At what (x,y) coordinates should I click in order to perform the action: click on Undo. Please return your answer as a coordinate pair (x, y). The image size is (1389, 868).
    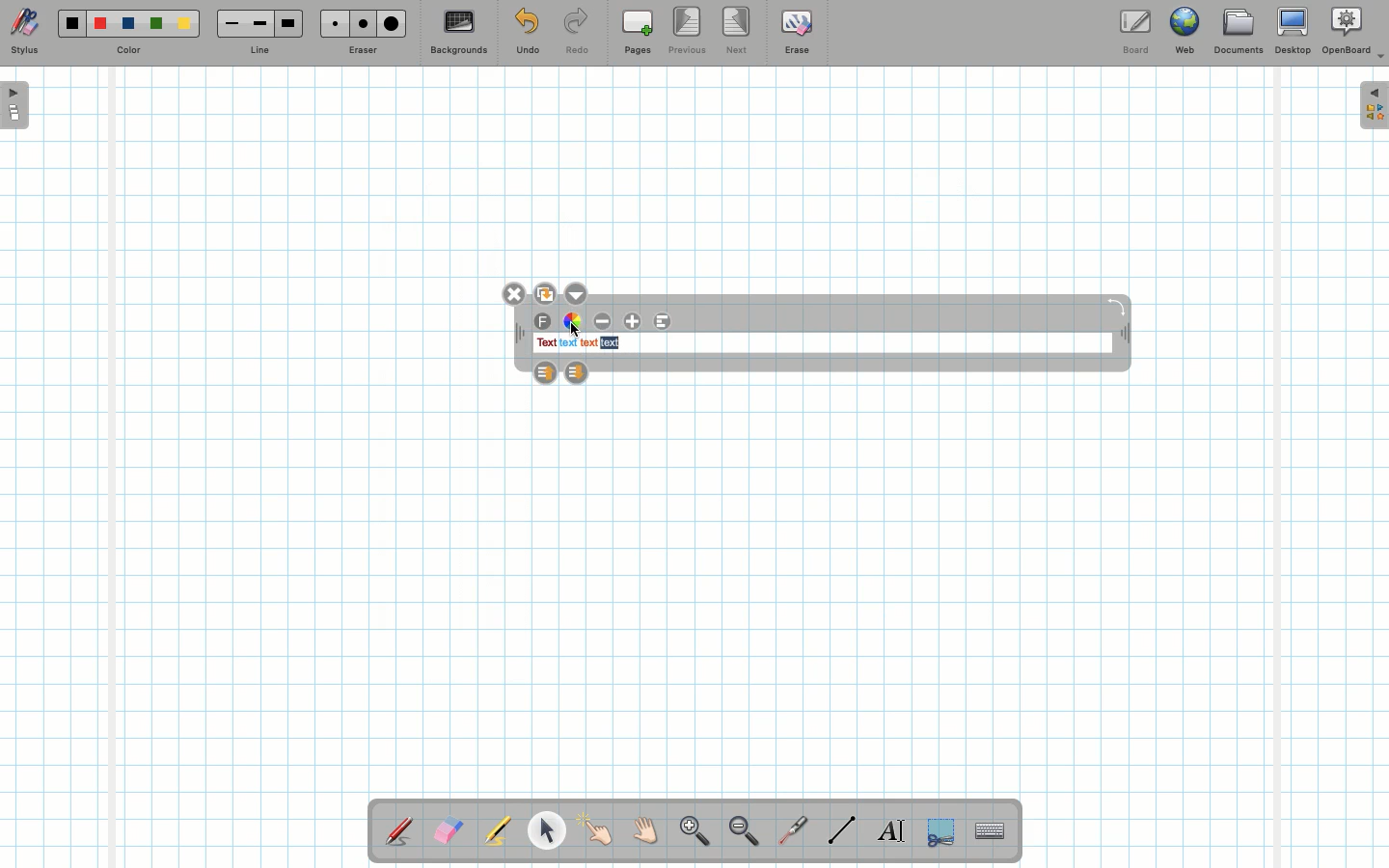
    Looking at the image, I should click on (527, 35).